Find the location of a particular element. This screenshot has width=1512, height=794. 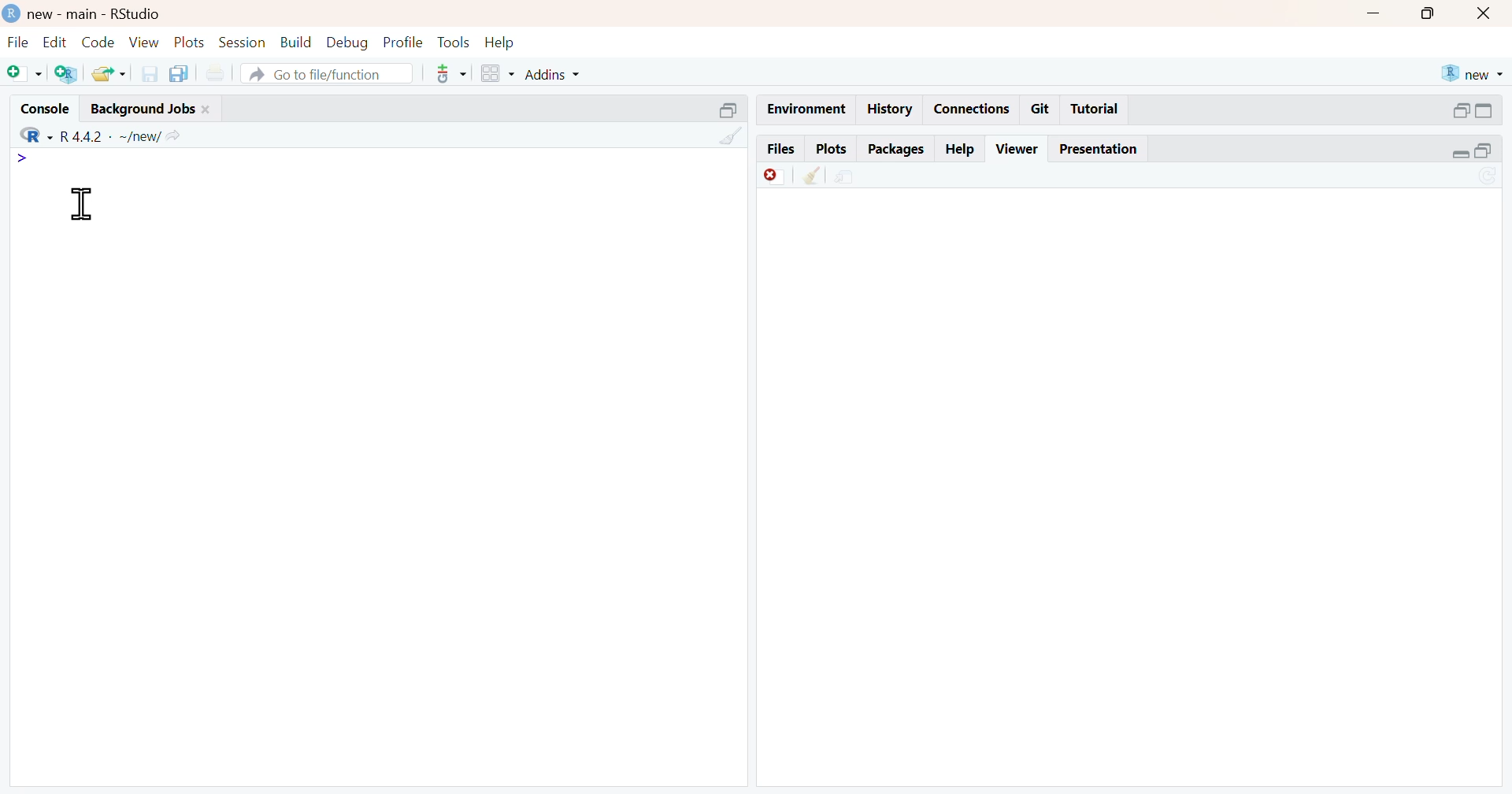

refresh current plot is located at coordinates (1490, 176).